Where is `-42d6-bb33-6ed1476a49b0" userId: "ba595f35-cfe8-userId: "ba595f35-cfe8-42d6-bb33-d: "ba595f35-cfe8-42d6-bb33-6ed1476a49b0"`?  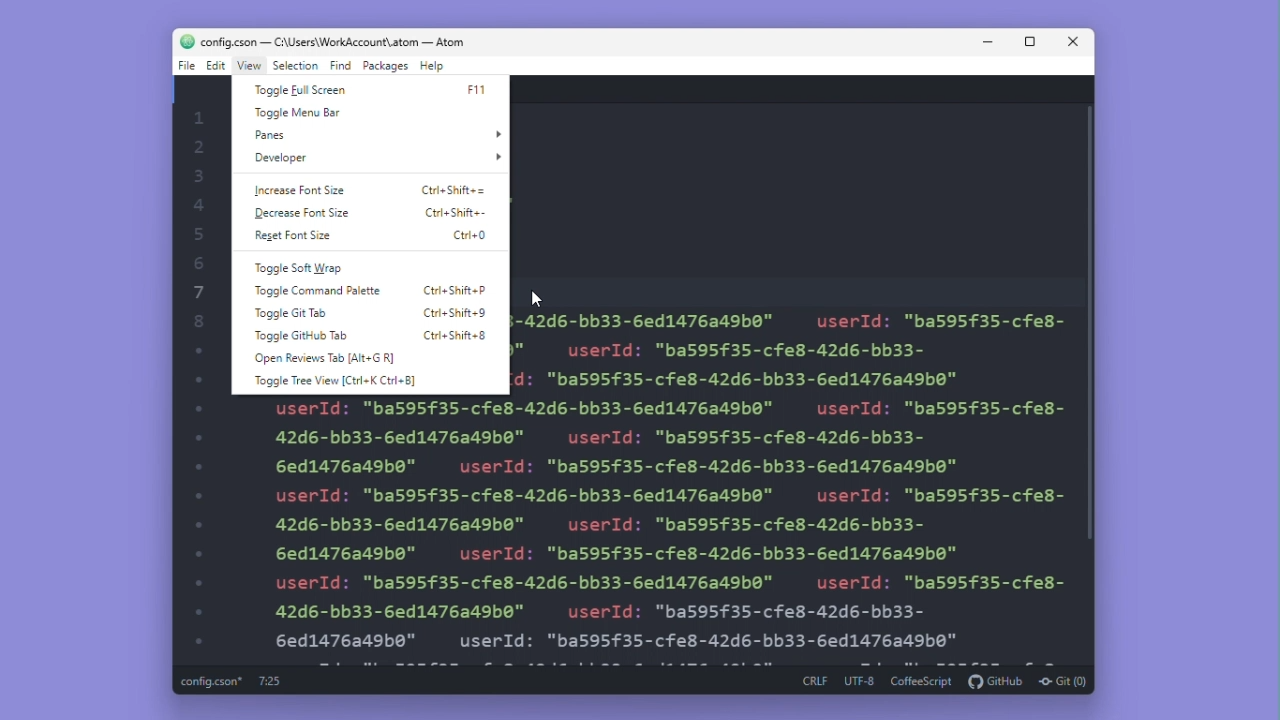
-42d6-bb33-6ed1476a49b0" userId: "ba595f35-cfe8-userId: "ba595f35-cfe8-42d6-bb33-d: "ba595f35-cfe8-42d6-bb33-6ed1476a49b0" is located at coordinates (789, 346).